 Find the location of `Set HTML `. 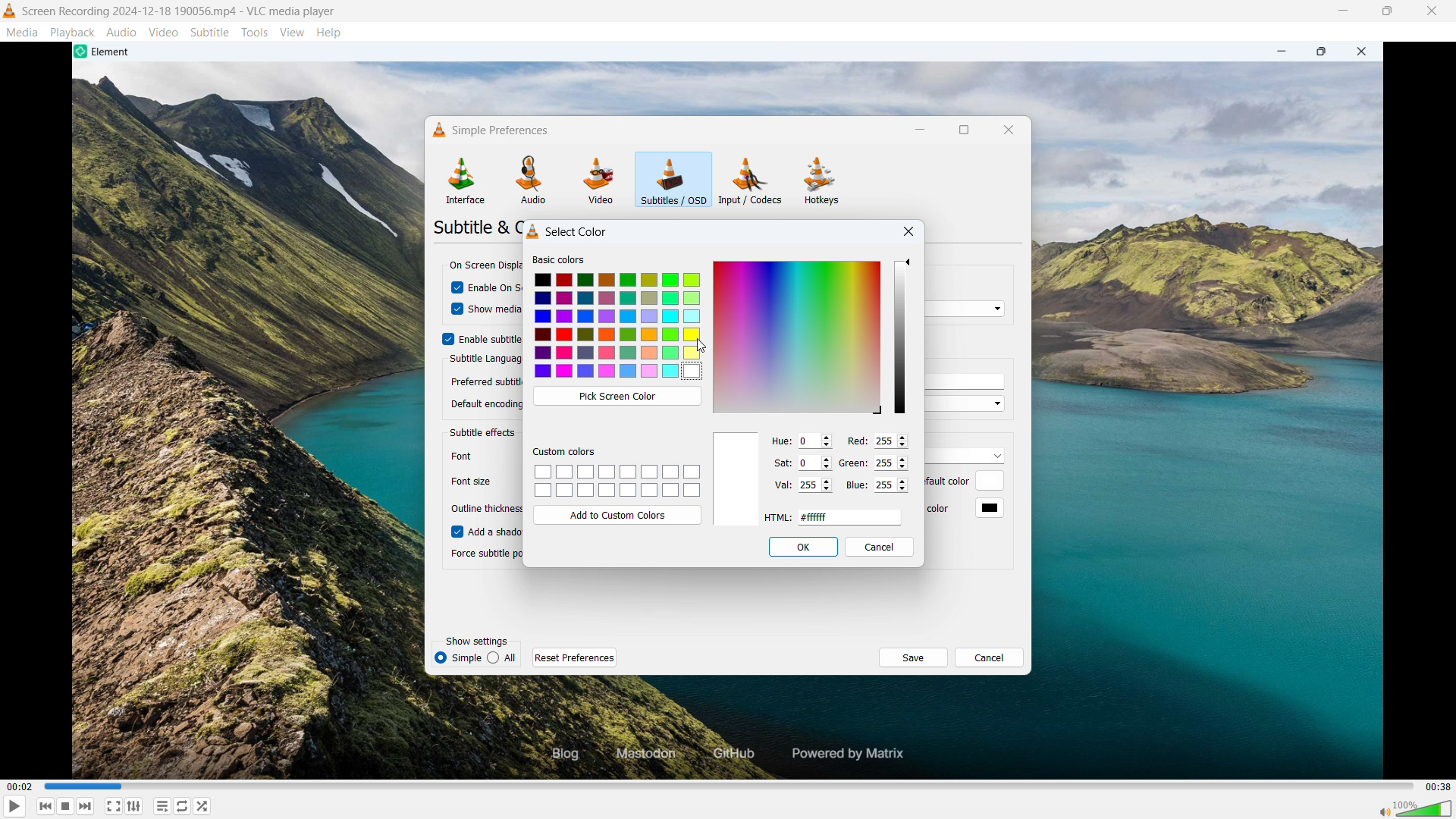

Set HTML  is located at coordinates (850, 517).